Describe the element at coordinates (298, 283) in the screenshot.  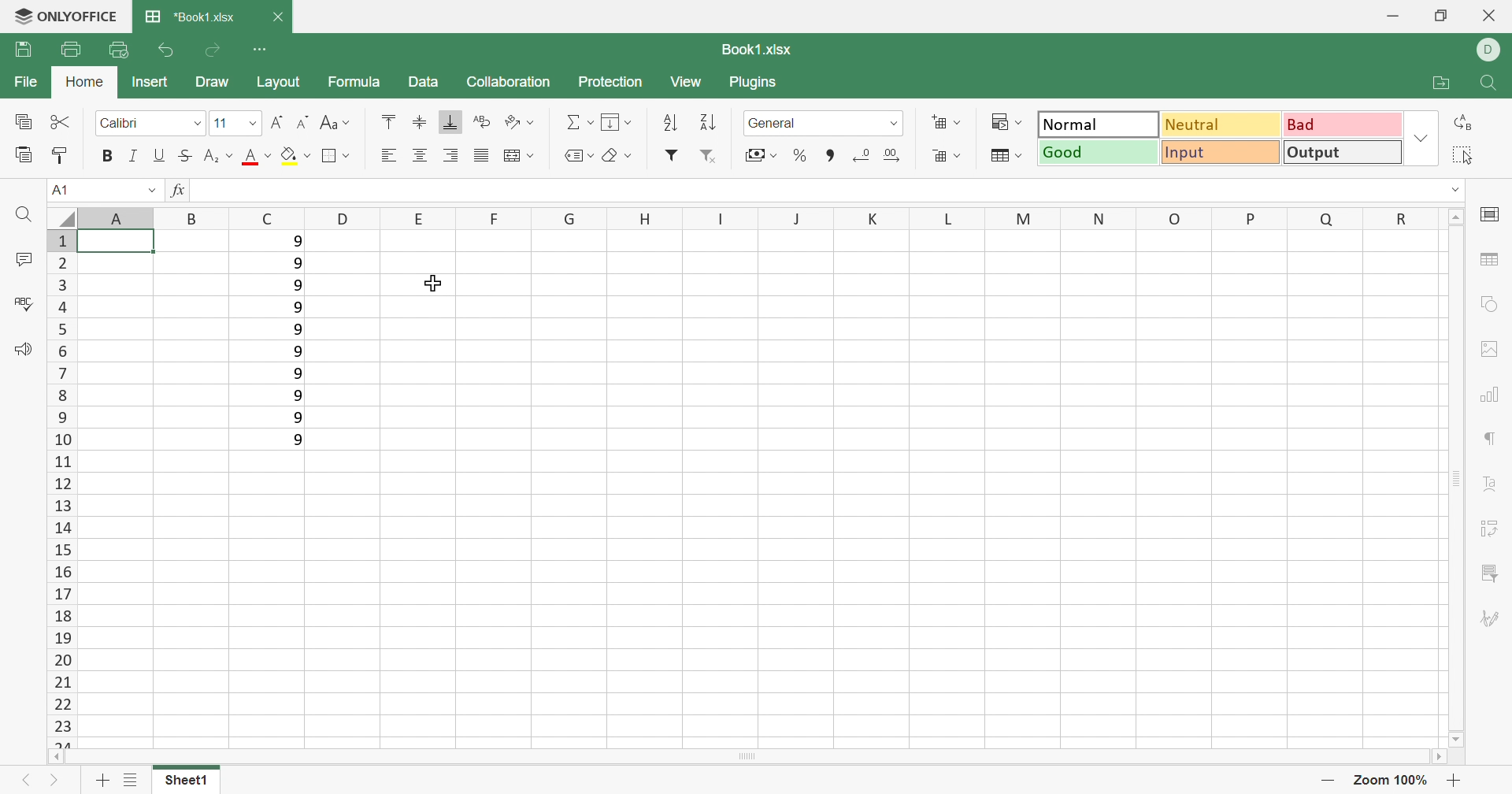
I see `9` at that location.